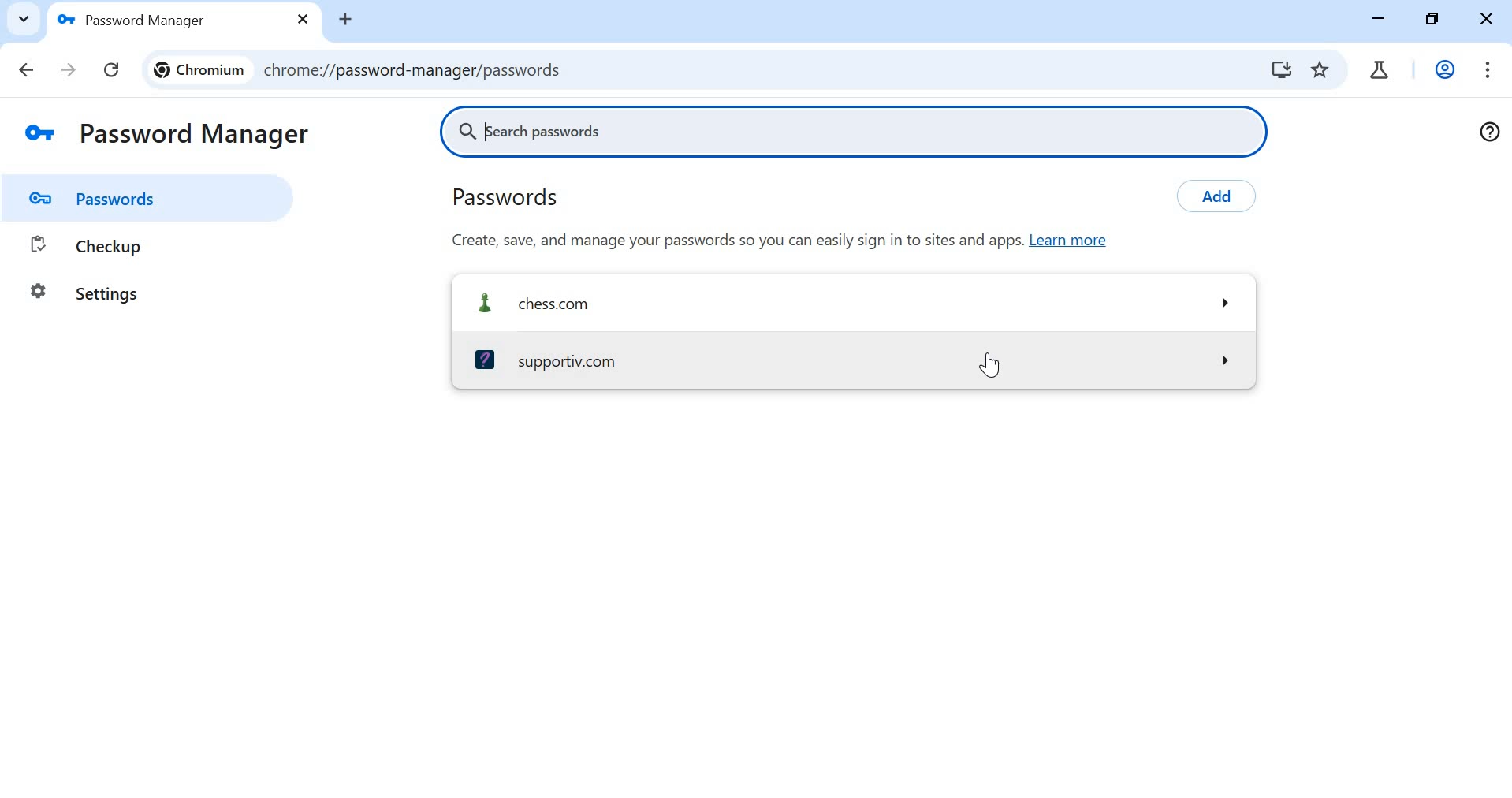 The image size is (1512, 798). I want to click on minimize, so click(1380, 19).